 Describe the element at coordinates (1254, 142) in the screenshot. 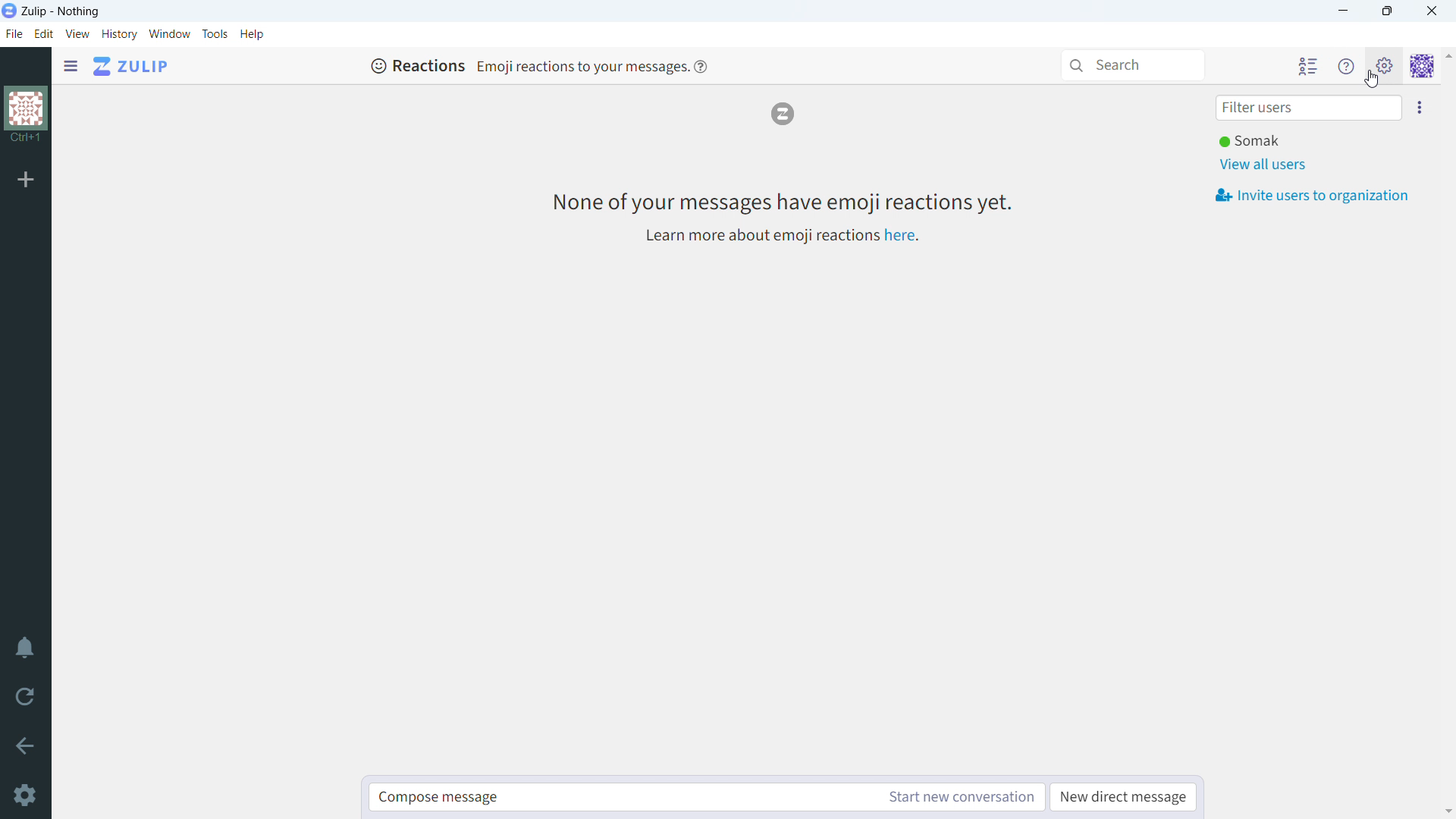

I see `active user` at that location.